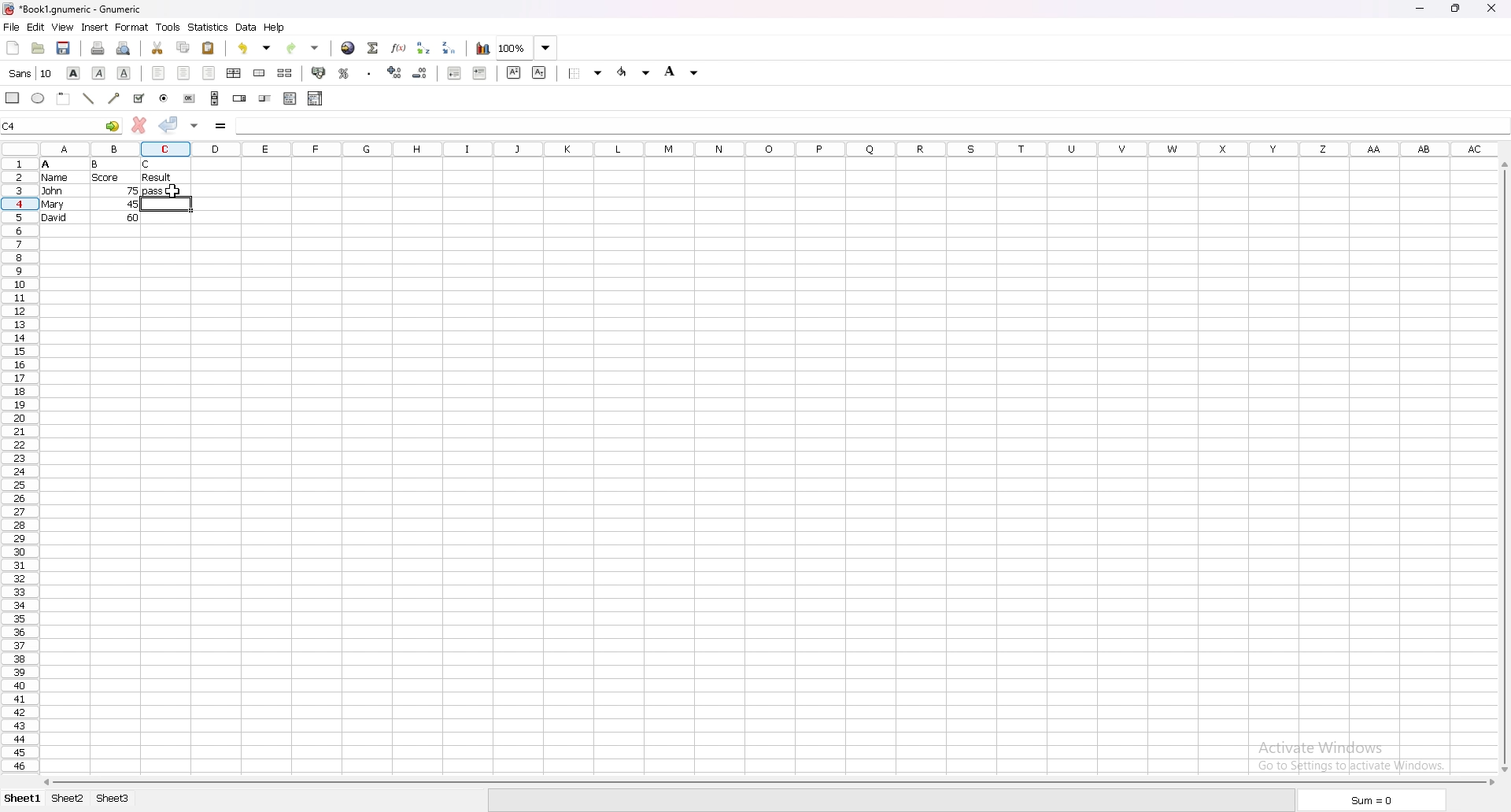 This screenshot has width=1511, height=812. What do you see at coordinates (196, 126) in the screenshot?
I see `accept change in multiple cells` at bounding box center [196, 126].